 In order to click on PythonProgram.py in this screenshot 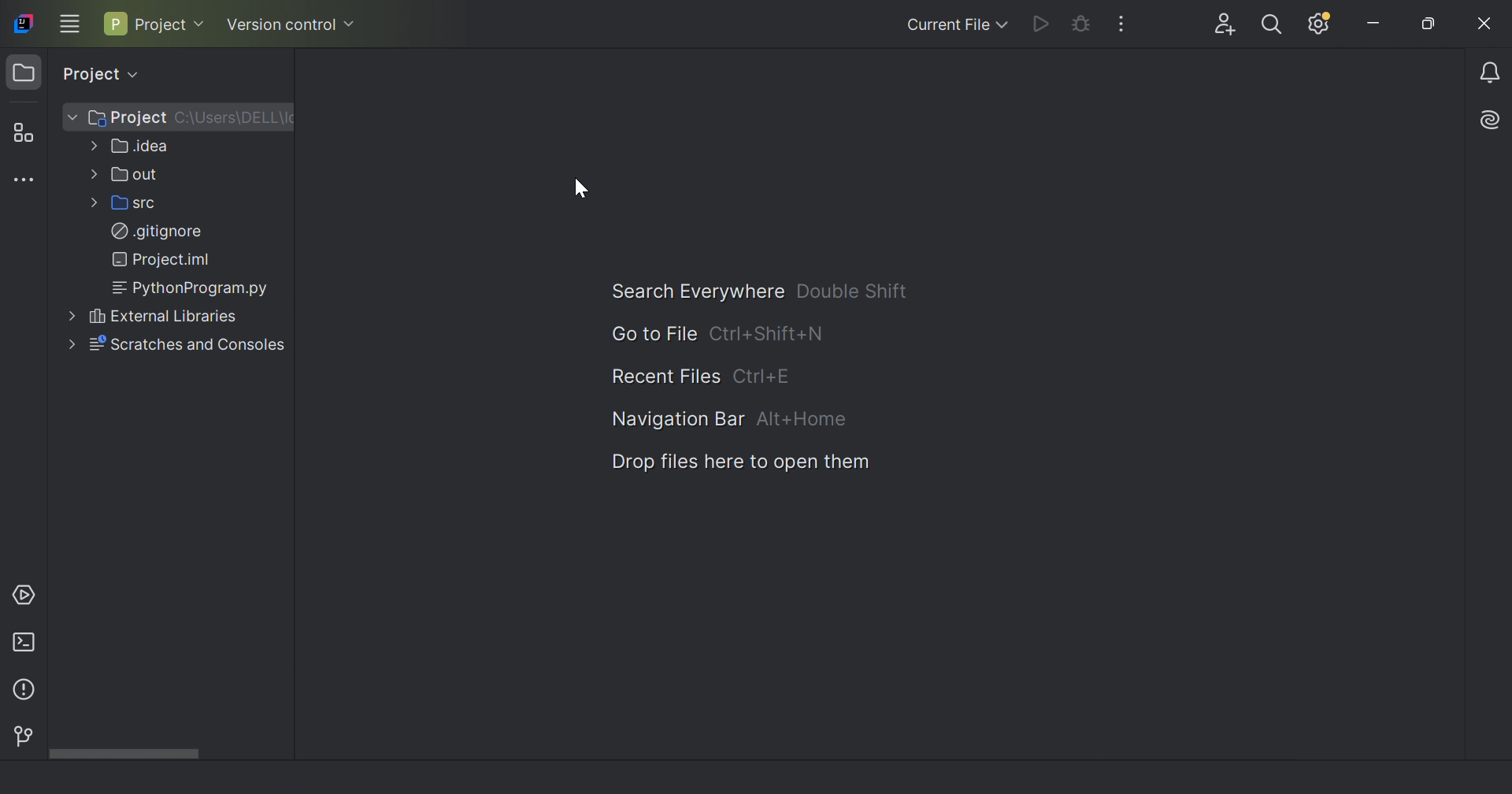, I will do `click(194, 288)`.